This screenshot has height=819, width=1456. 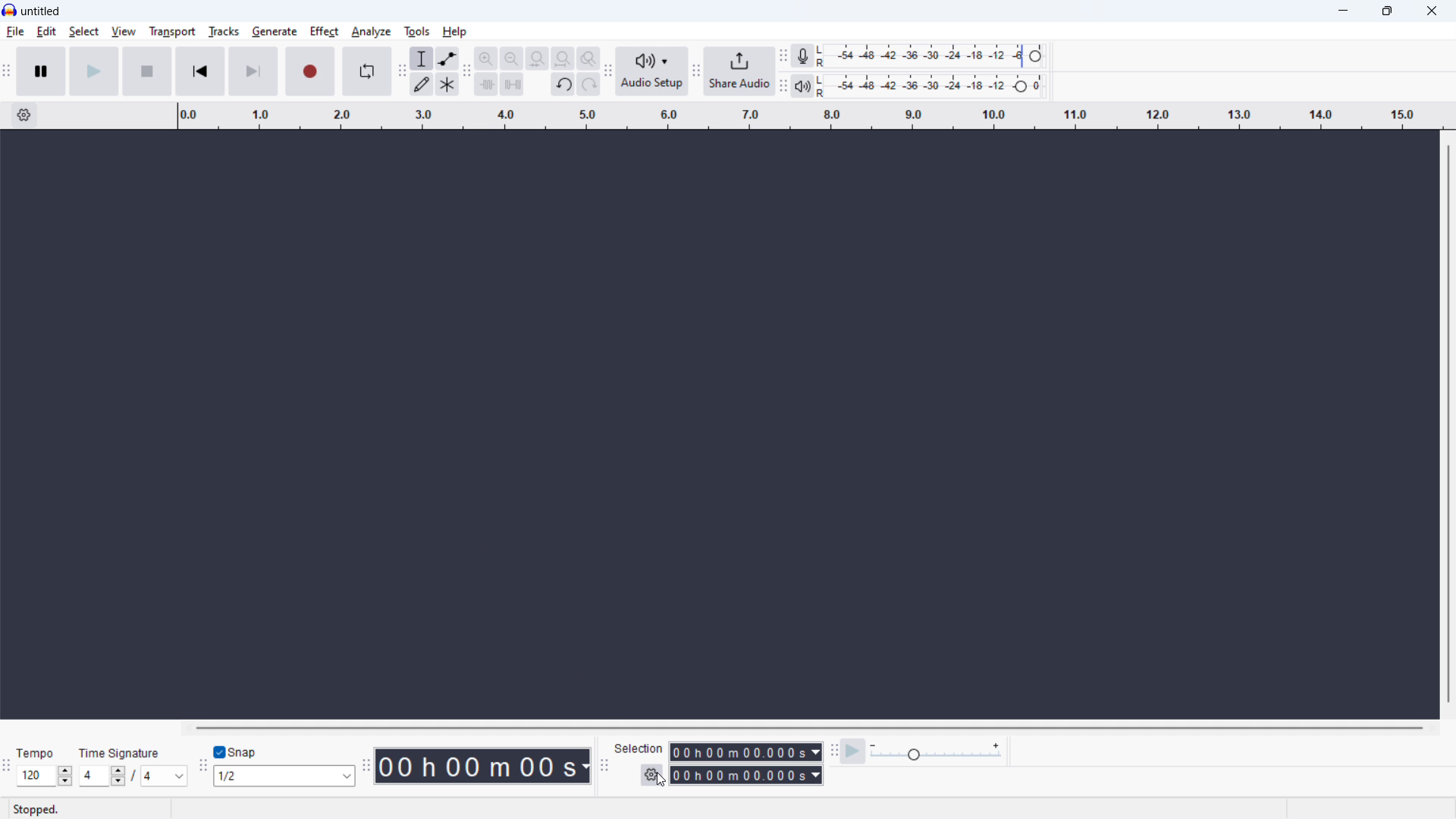 What do you see at coordinates (513, 84) in the screenshot?
I see `silence audio selection` at bounding box center [513, 84].